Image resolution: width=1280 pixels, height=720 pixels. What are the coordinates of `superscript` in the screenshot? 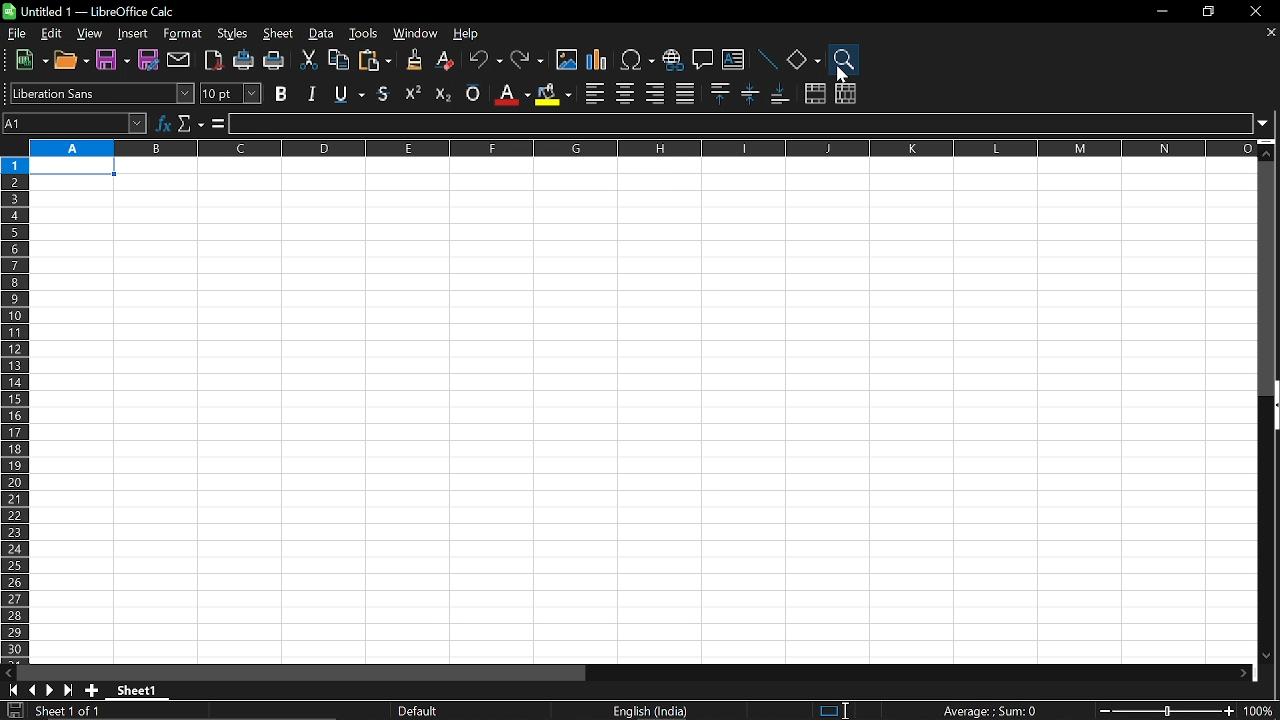 It's located at (414, 92).